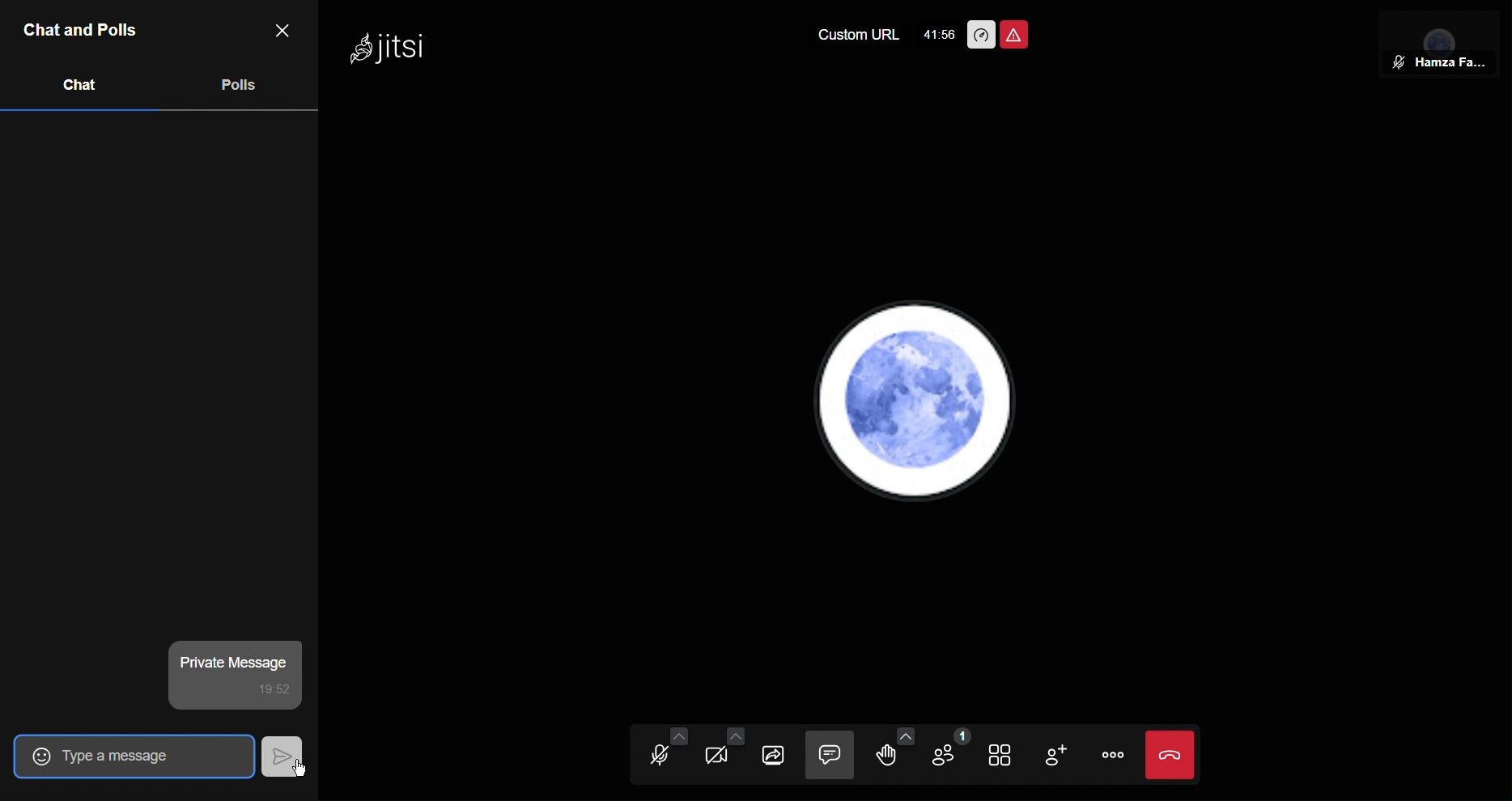  Describe the element at coordinates (1009, 751) in the screenshot. I see `Tile View` at that location.